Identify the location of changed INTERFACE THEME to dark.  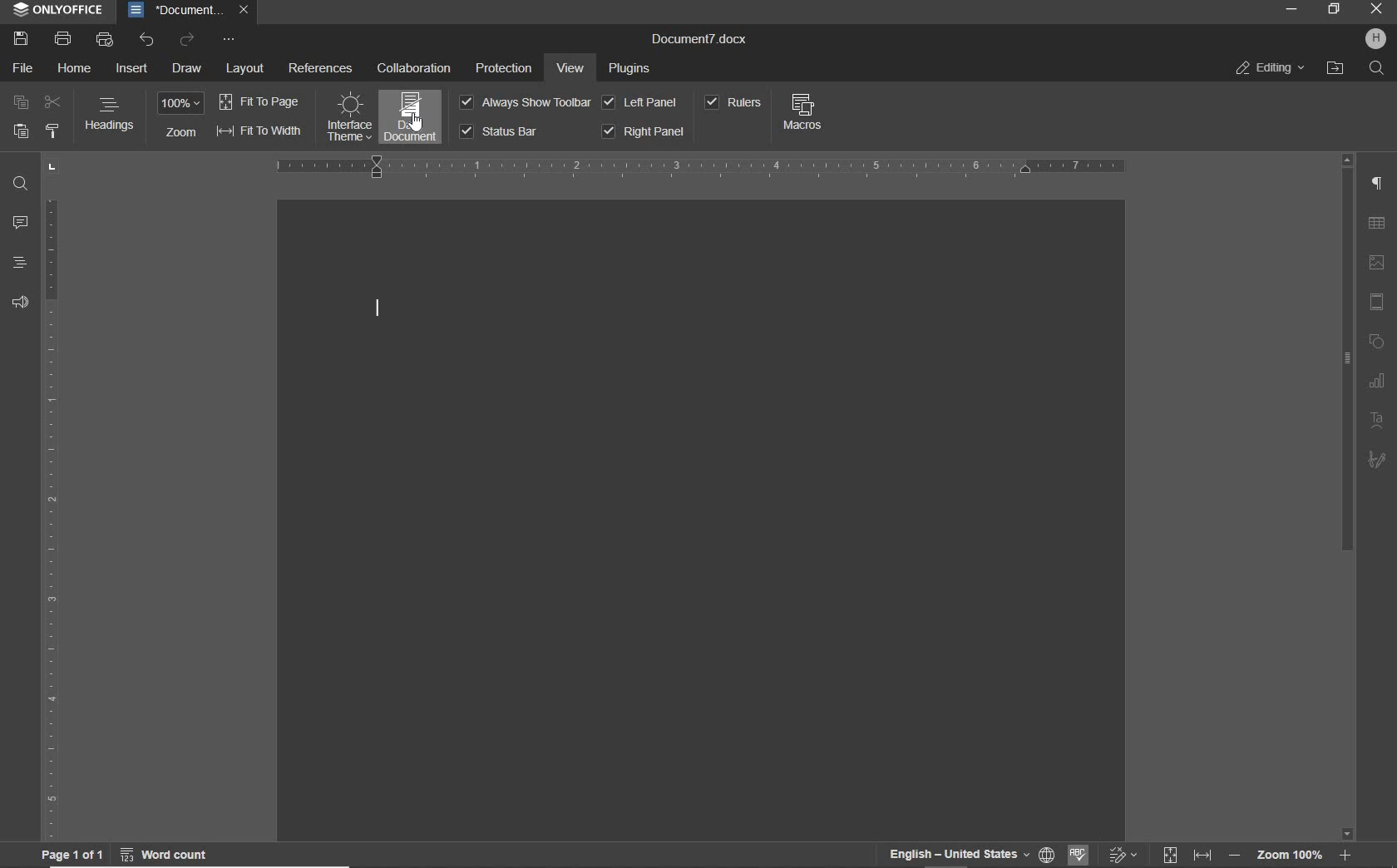
(350, 119).